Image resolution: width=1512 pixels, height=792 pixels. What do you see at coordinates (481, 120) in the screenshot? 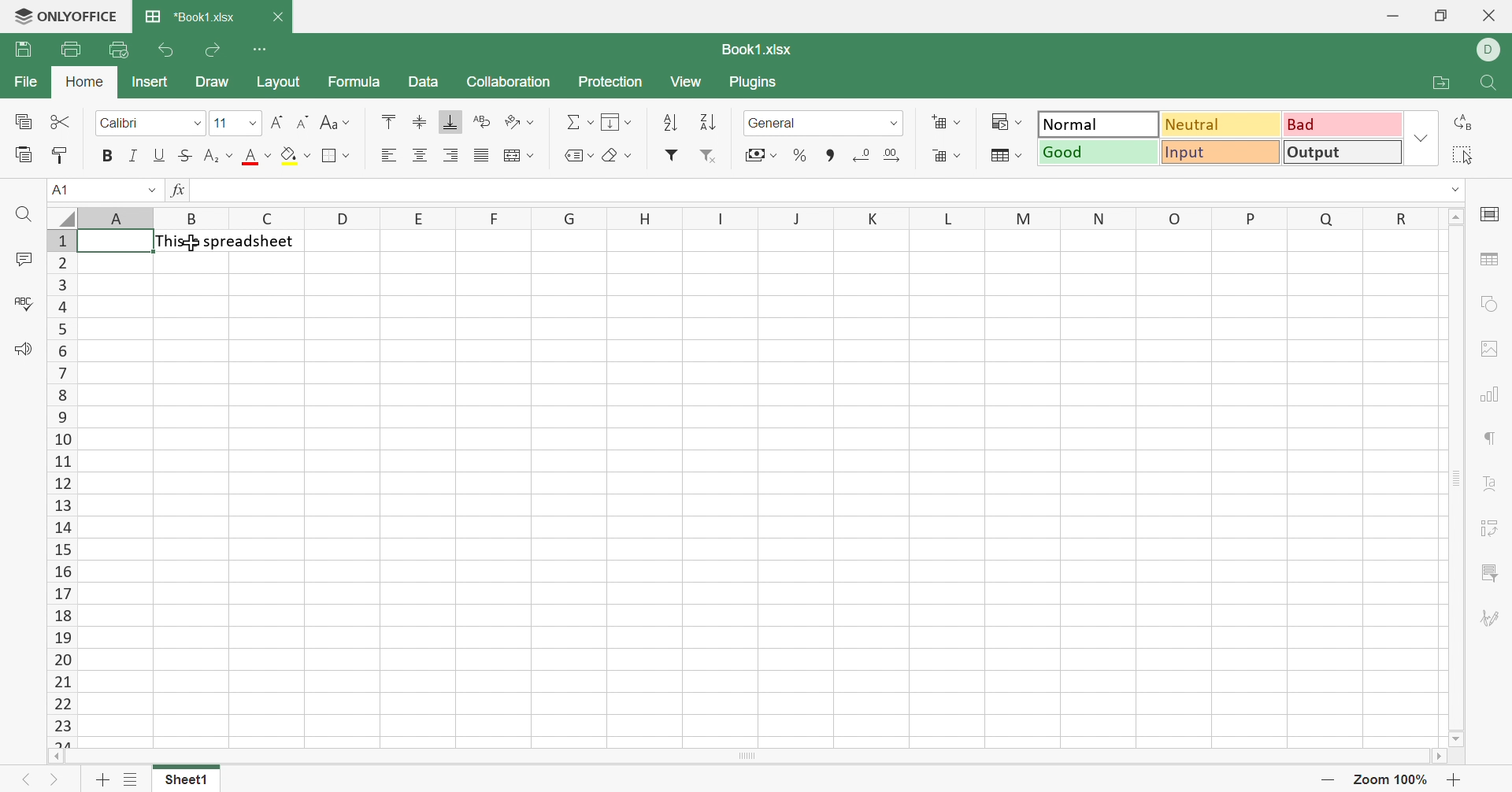
I see `Wrap Text` at bounding box center [481, 120].